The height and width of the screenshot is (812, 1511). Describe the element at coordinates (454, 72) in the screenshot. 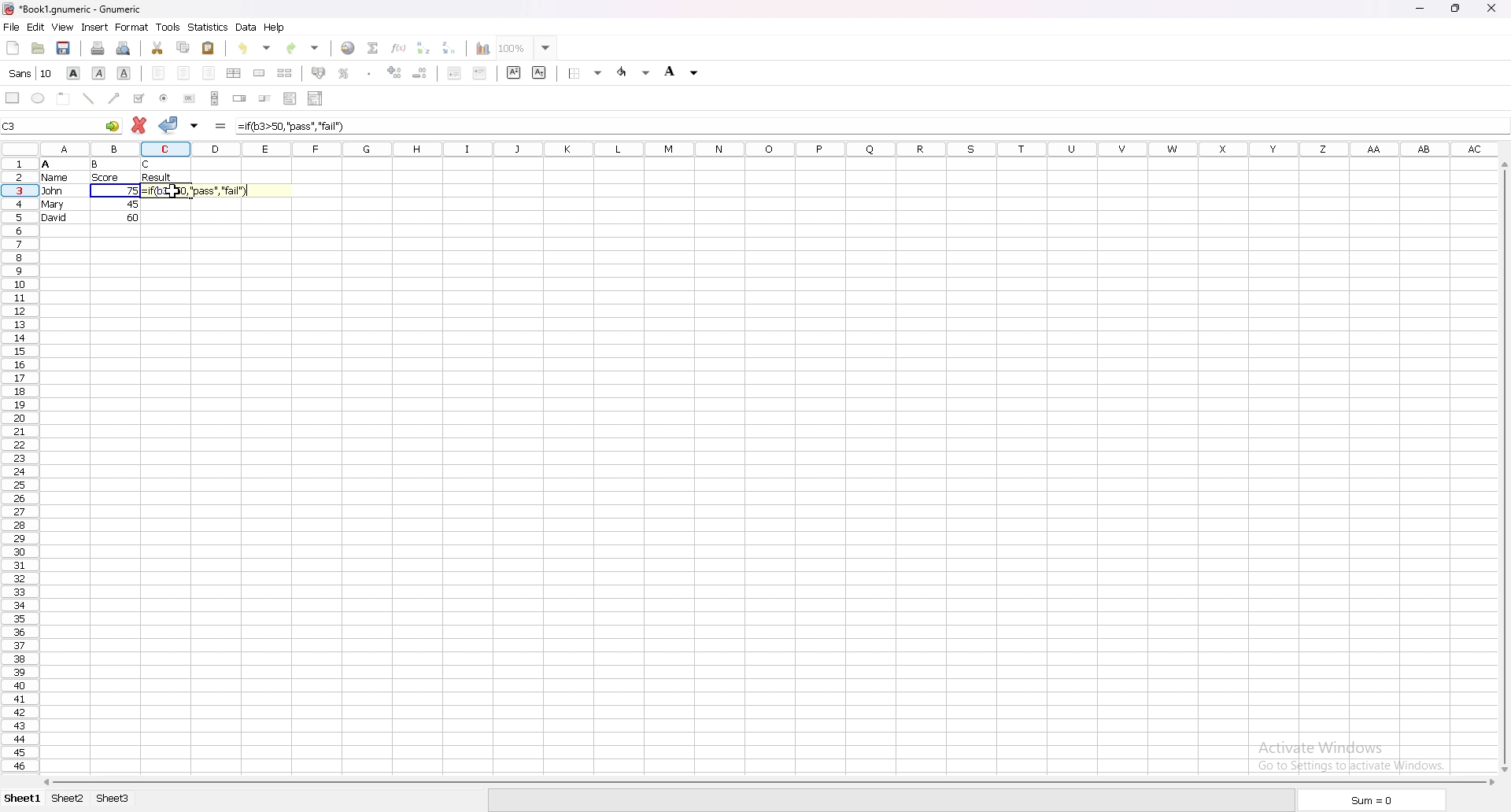

I see `decrease indent` at that location.